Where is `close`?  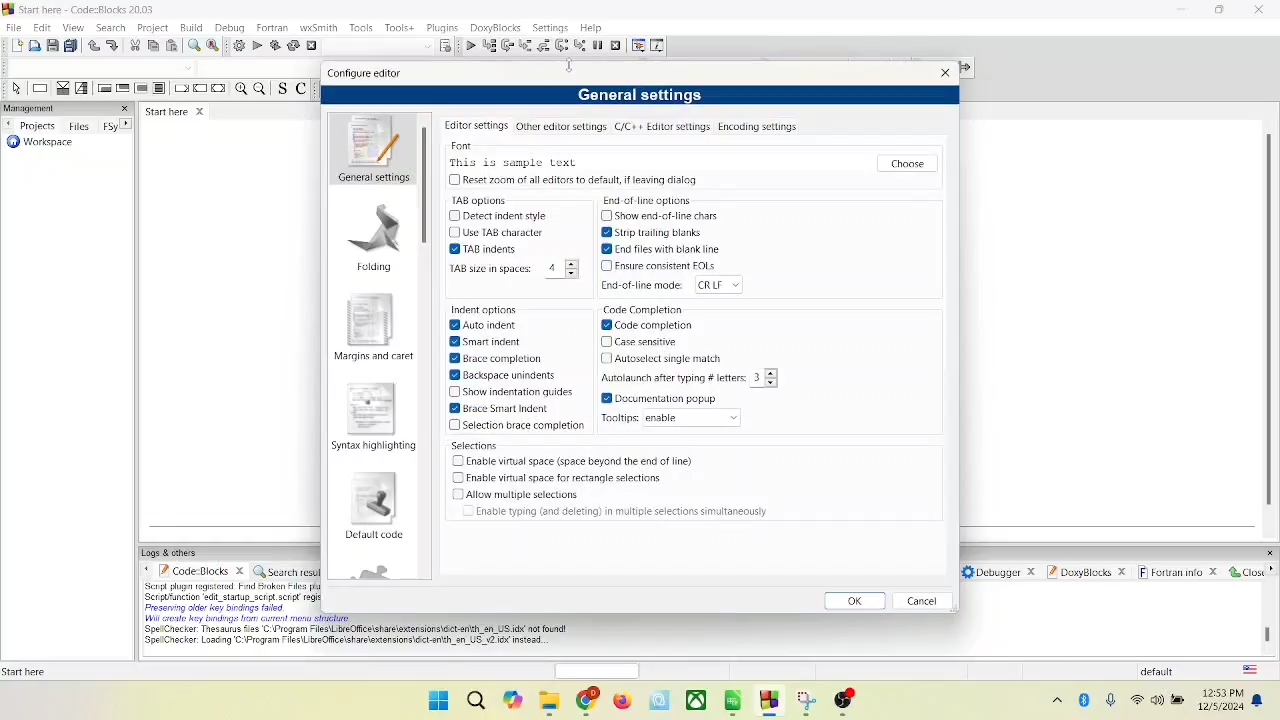 close is located at coordinates (1244, 572).